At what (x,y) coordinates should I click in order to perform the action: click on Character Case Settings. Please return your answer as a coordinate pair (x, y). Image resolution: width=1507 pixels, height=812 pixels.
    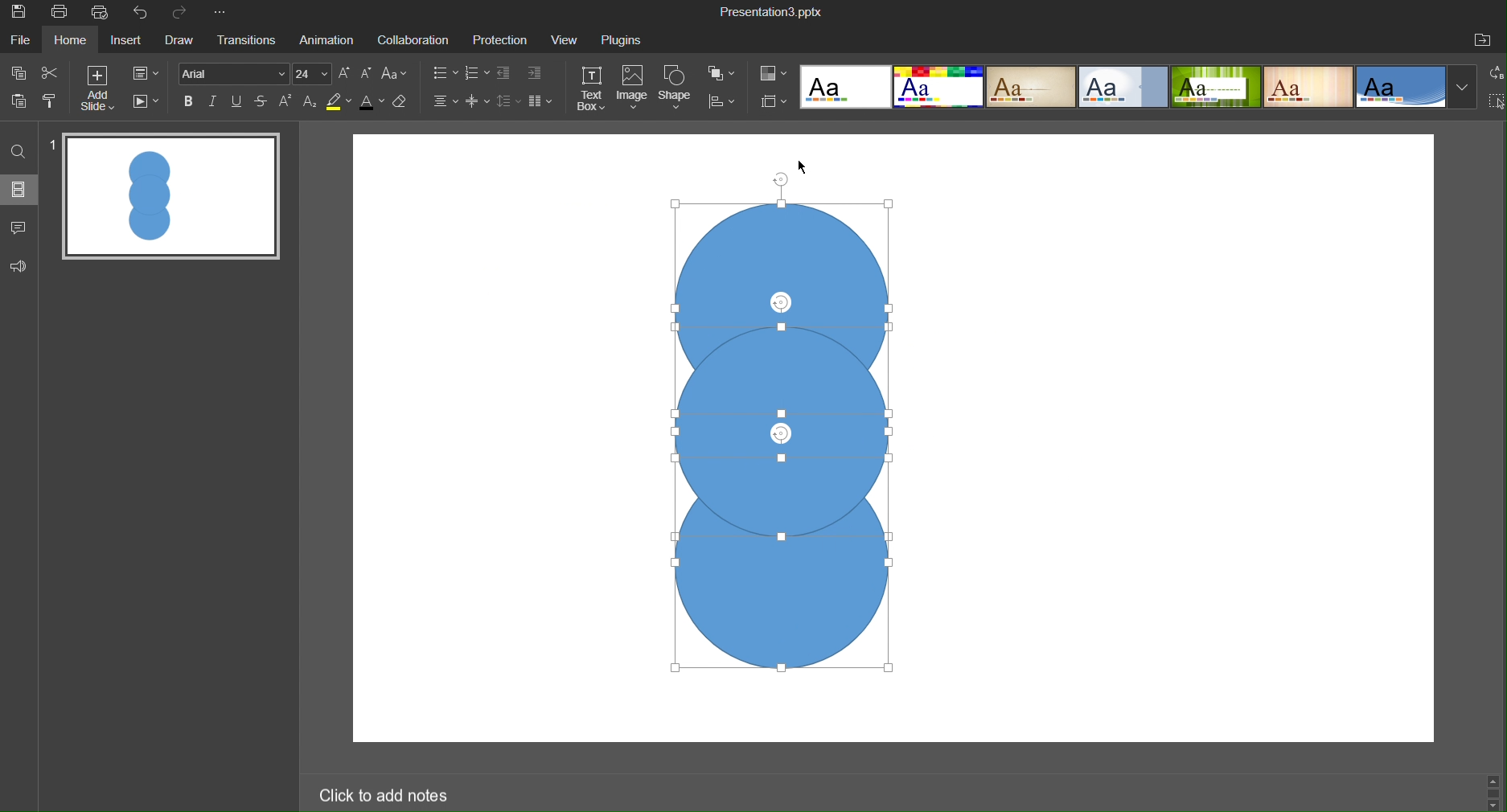
    Looking at the image, I should click on (394, 75).